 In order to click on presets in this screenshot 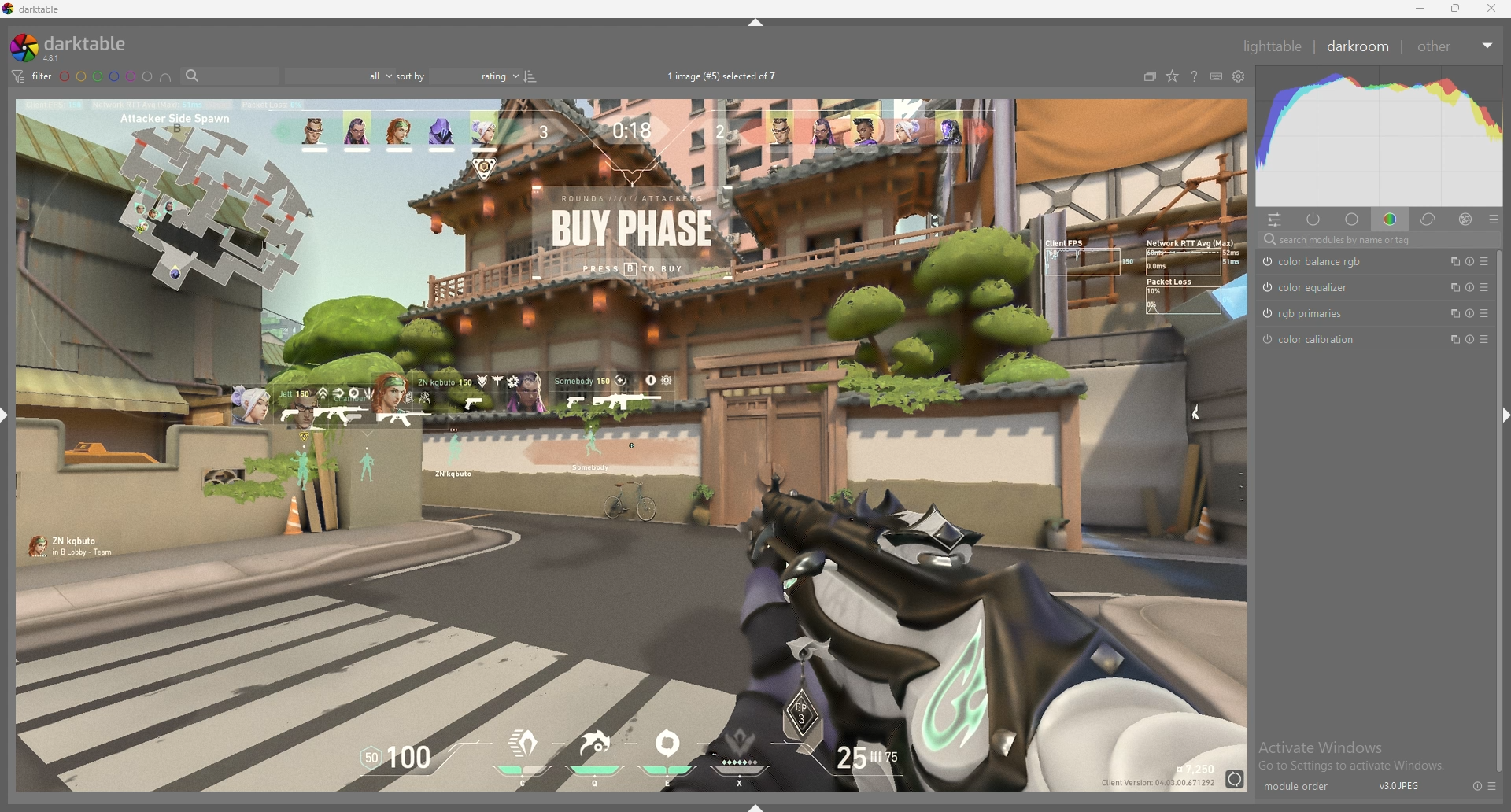, I will do `click(1493, 786)`.